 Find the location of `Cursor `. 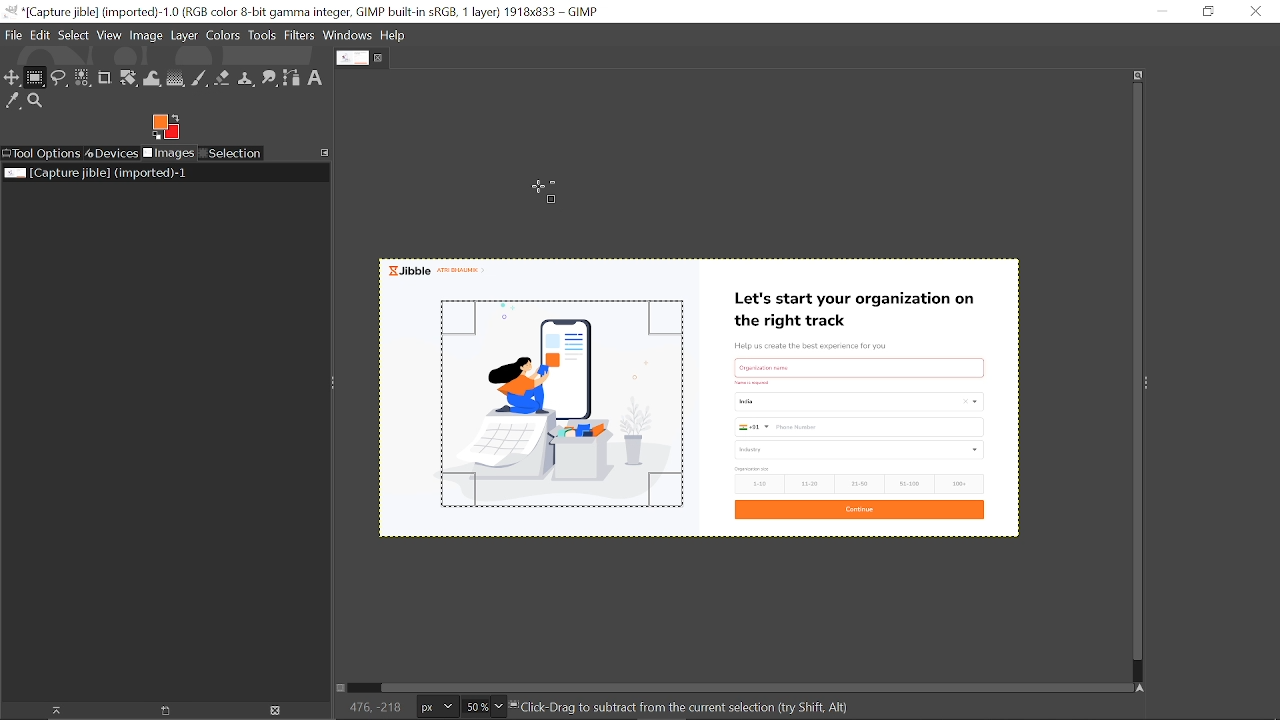

Cursor  is located at coordinates (545, 191).